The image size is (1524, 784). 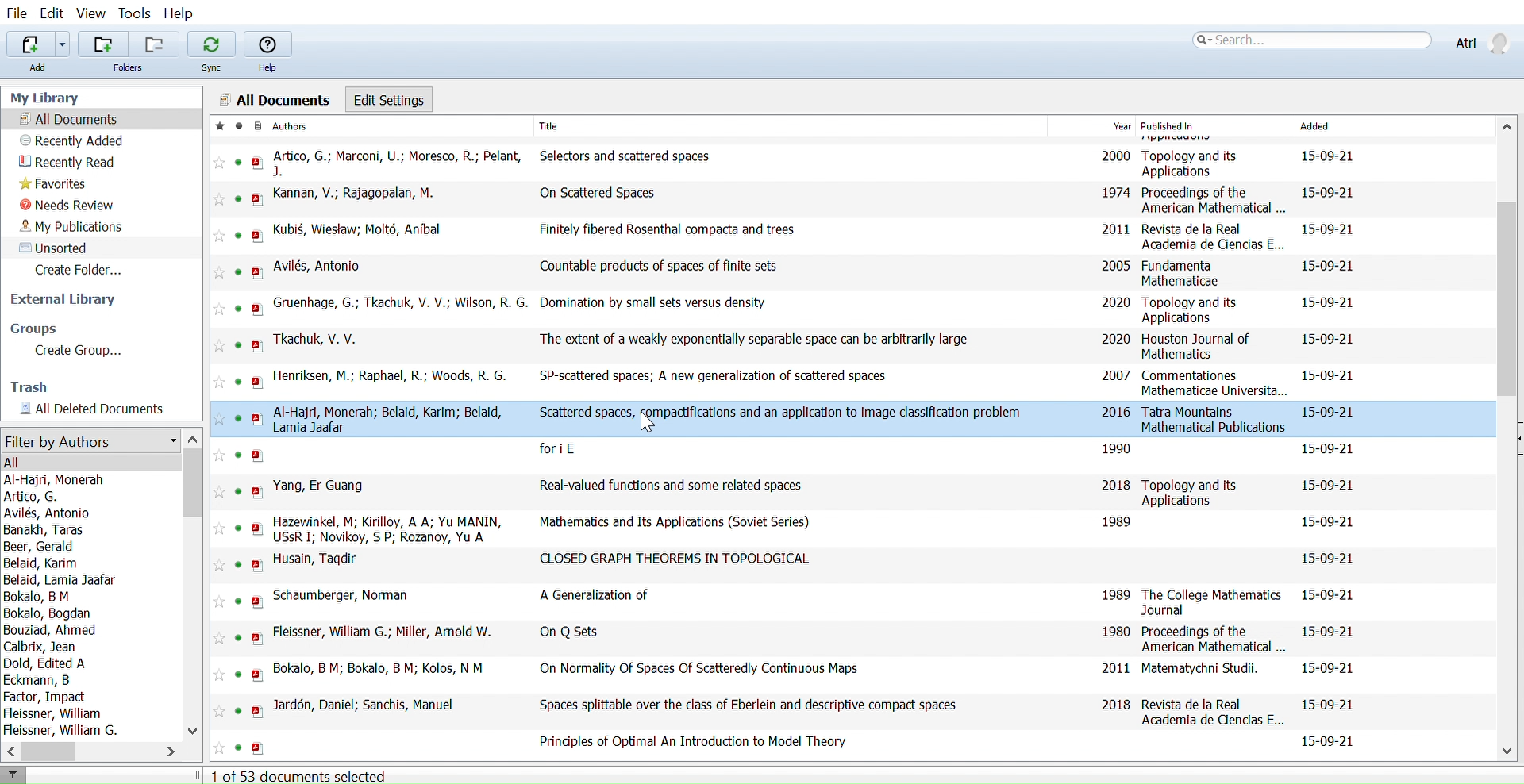 I want to click on Year, so click(x=1120, y=125).